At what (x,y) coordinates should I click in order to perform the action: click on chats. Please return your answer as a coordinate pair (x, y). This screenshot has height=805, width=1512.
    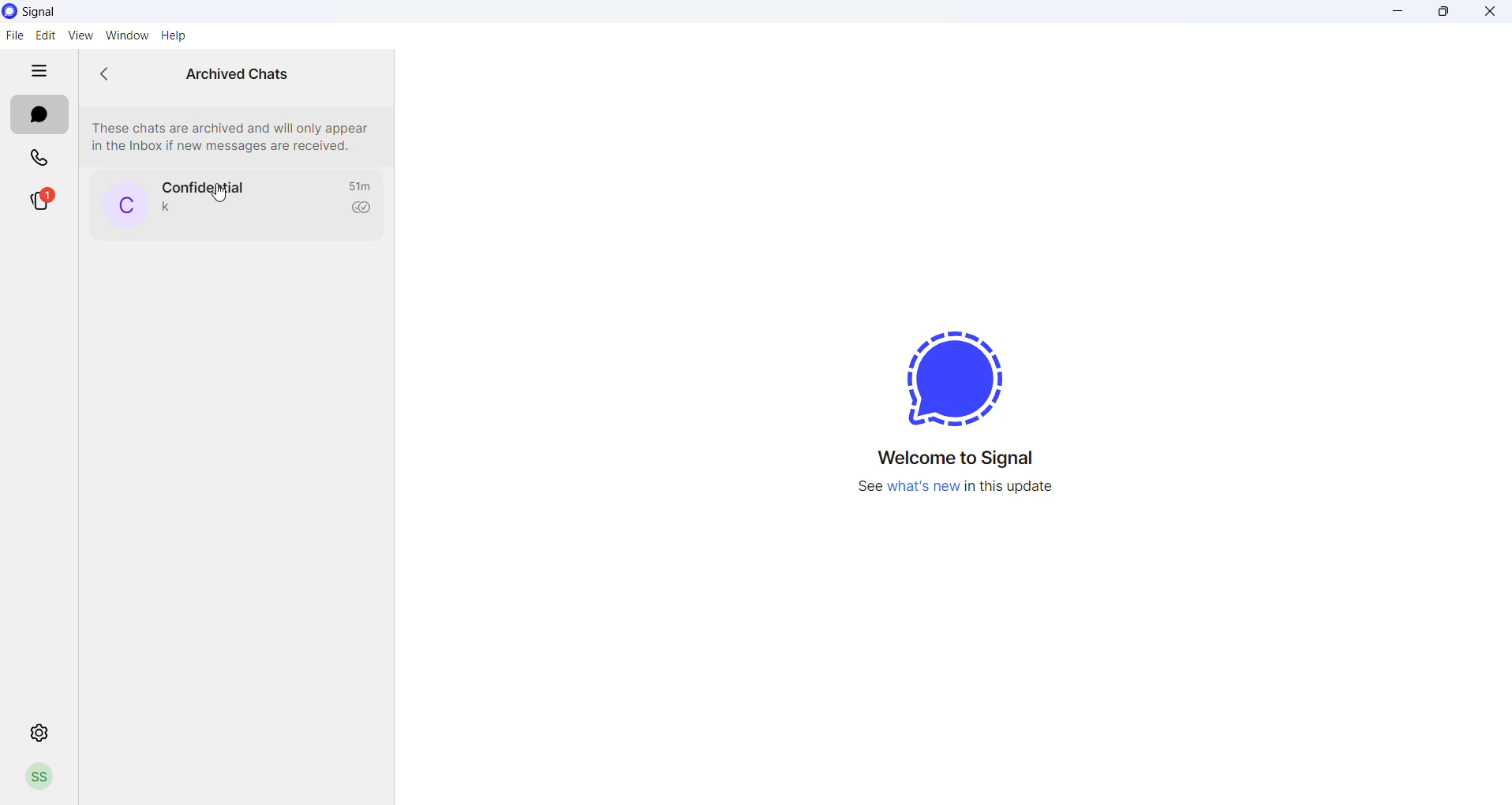
    Looking at the image, I should click on (39, 116).